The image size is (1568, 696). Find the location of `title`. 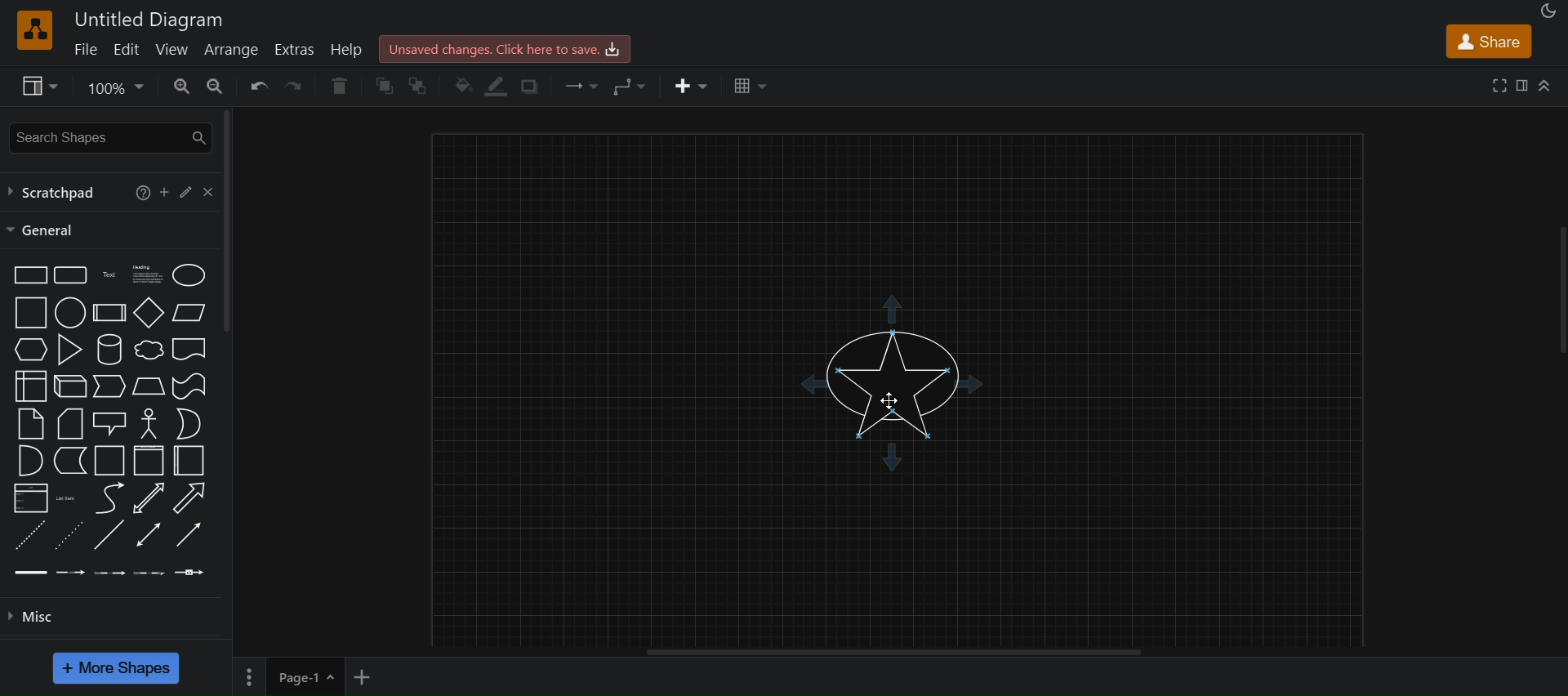

title is located at coordinates (149, 20).